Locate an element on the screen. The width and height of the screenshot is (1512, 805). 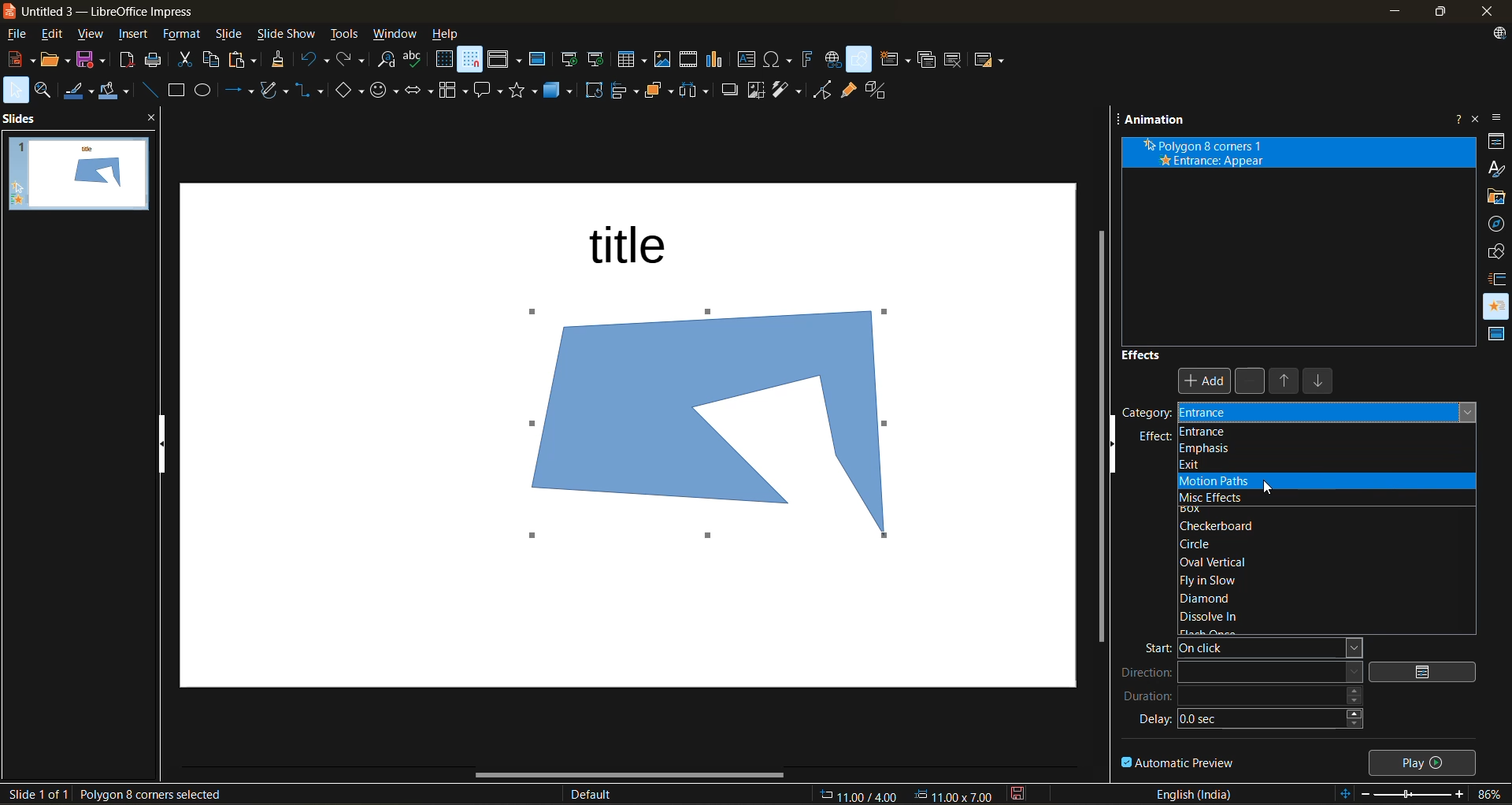
insert line is located at coordinates (150, 89).